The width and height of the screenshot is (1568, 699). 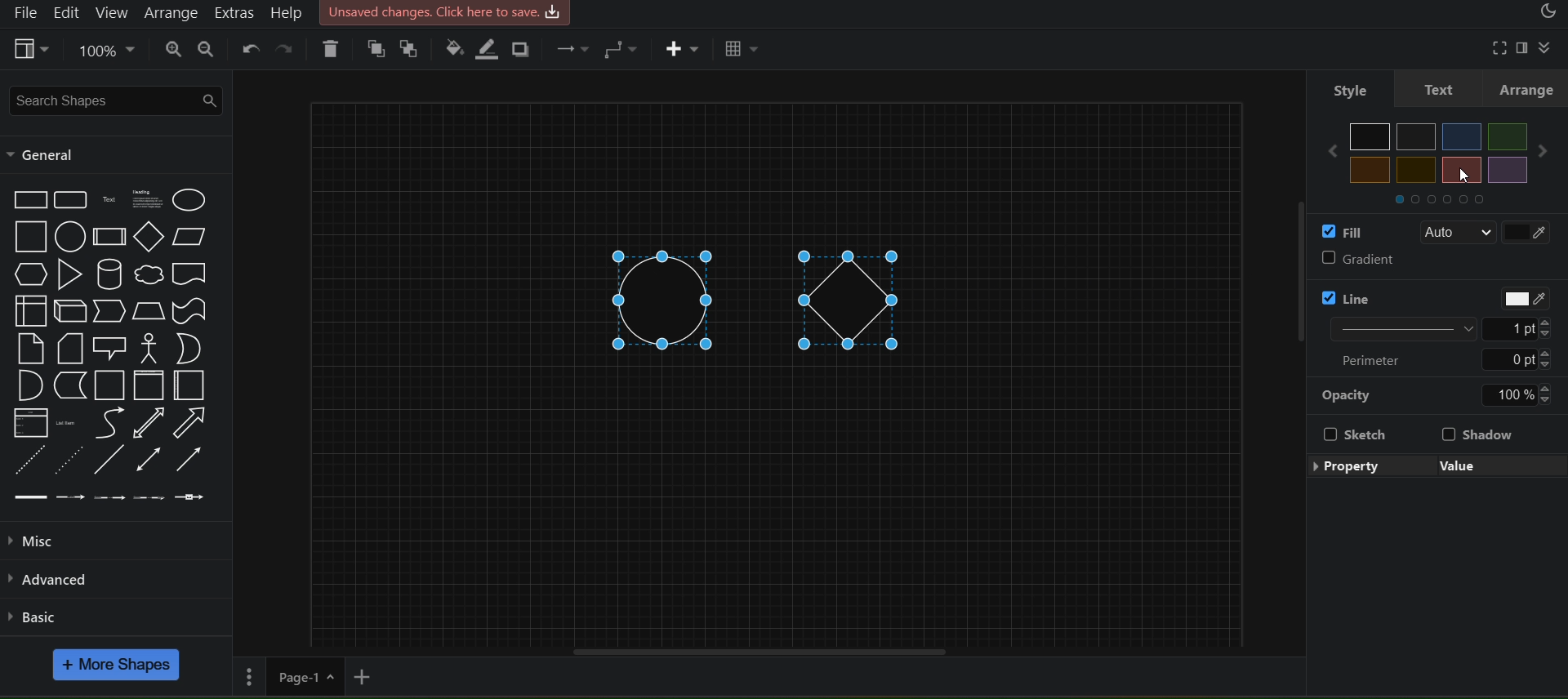 I want to click on Horizantal Contianer, so click(x=189, y=385).